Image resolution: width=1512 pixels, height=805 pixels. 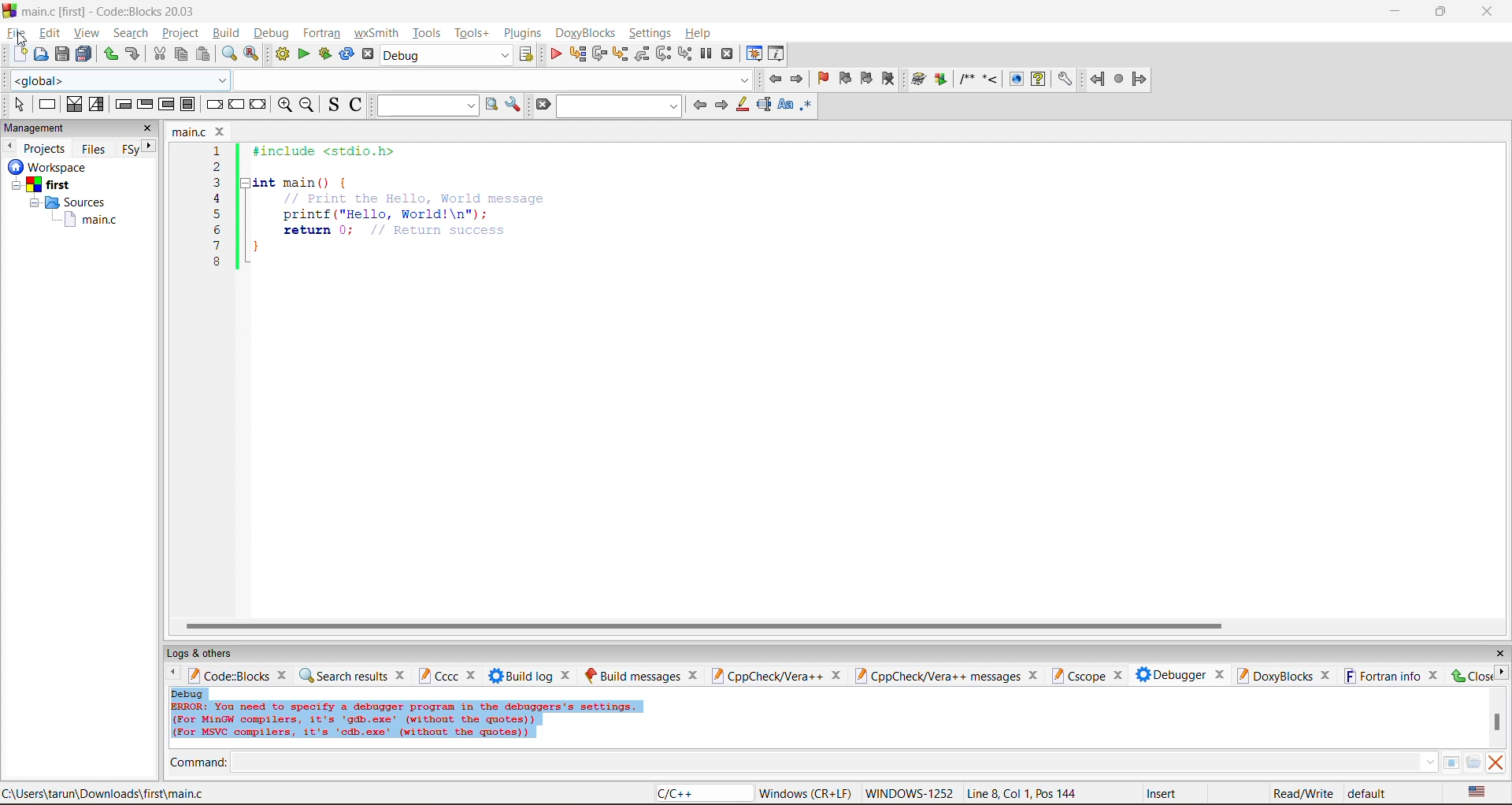 I want to click on toggle comments, so click(x=358, y=104).